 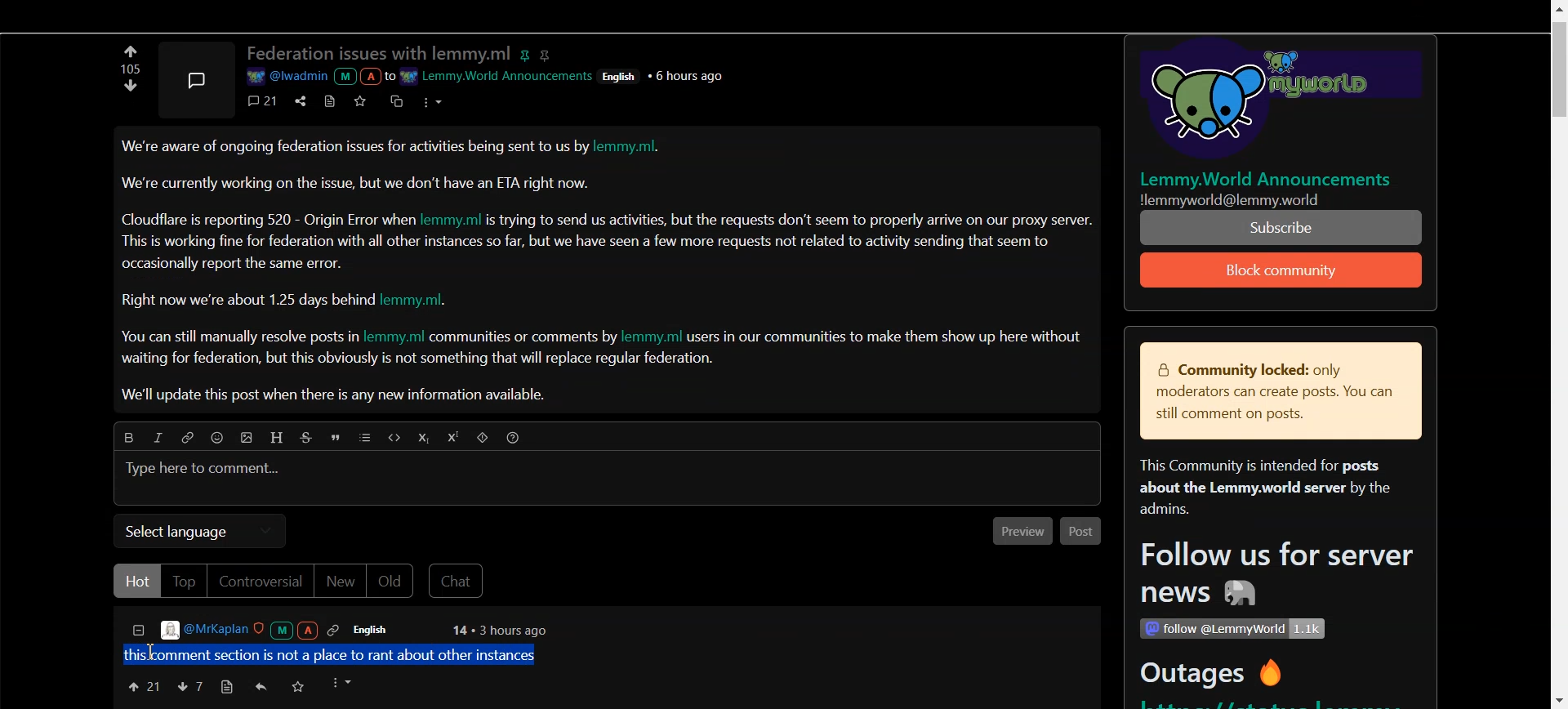 I want to click on Cursor, so click(x=156, y=653).